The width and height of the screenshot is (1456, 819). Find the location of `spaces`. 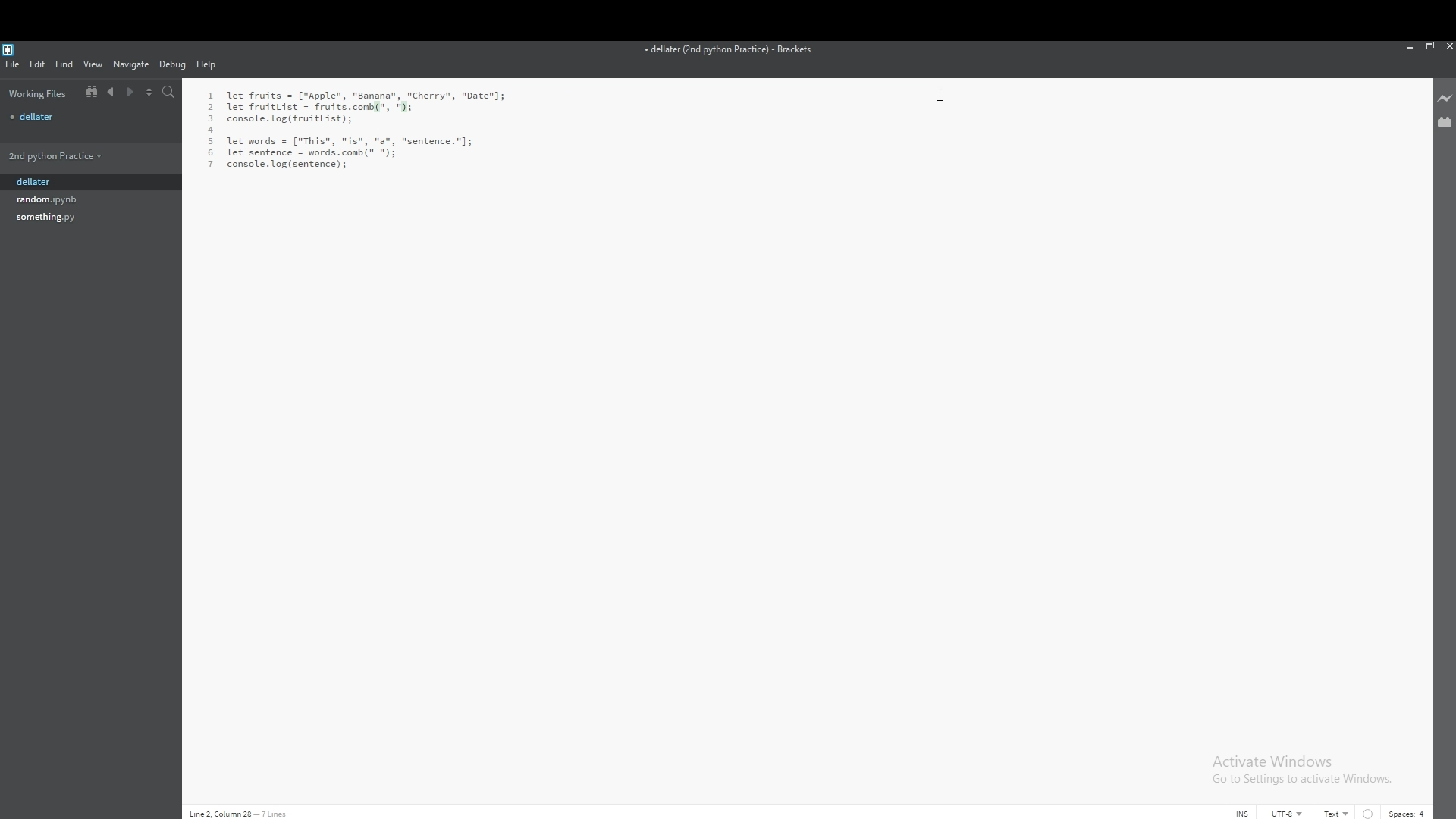

spaces is located at coordinates (1409, 812).